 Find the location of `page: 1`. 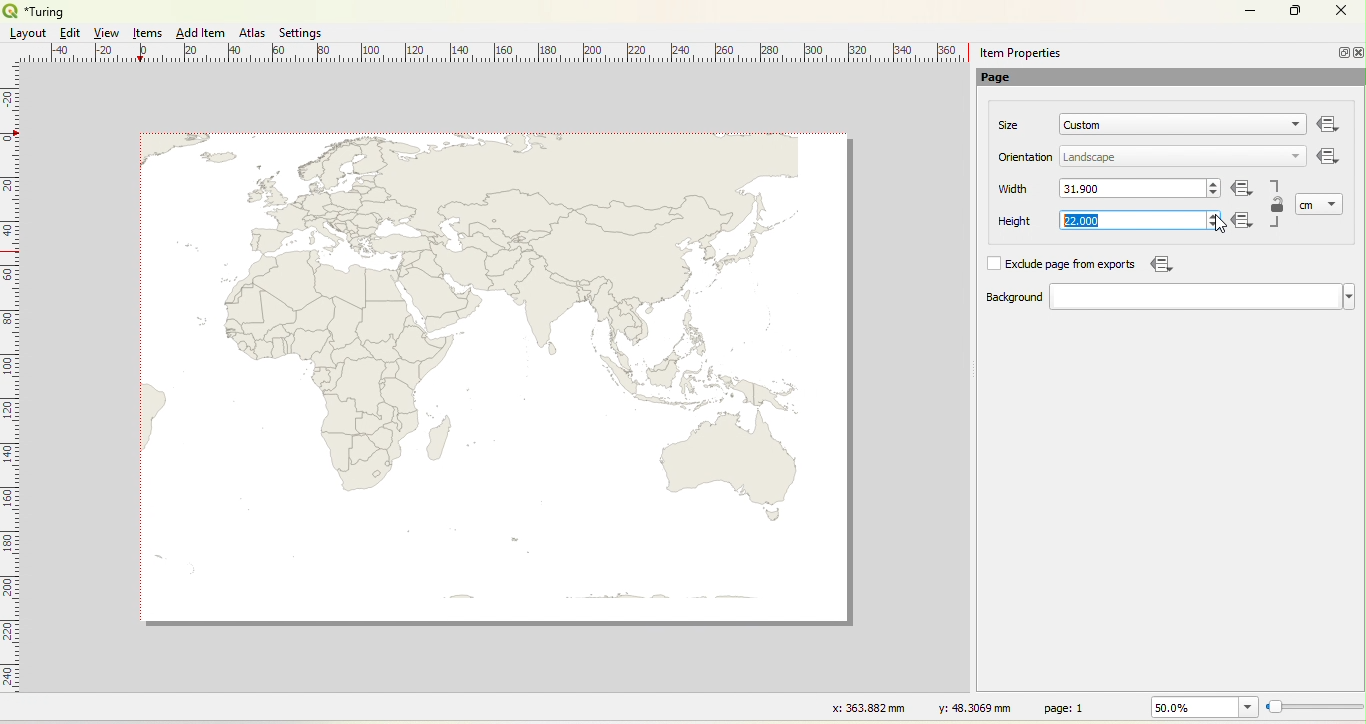

page: 1 is located at coordinates (1067, 707).